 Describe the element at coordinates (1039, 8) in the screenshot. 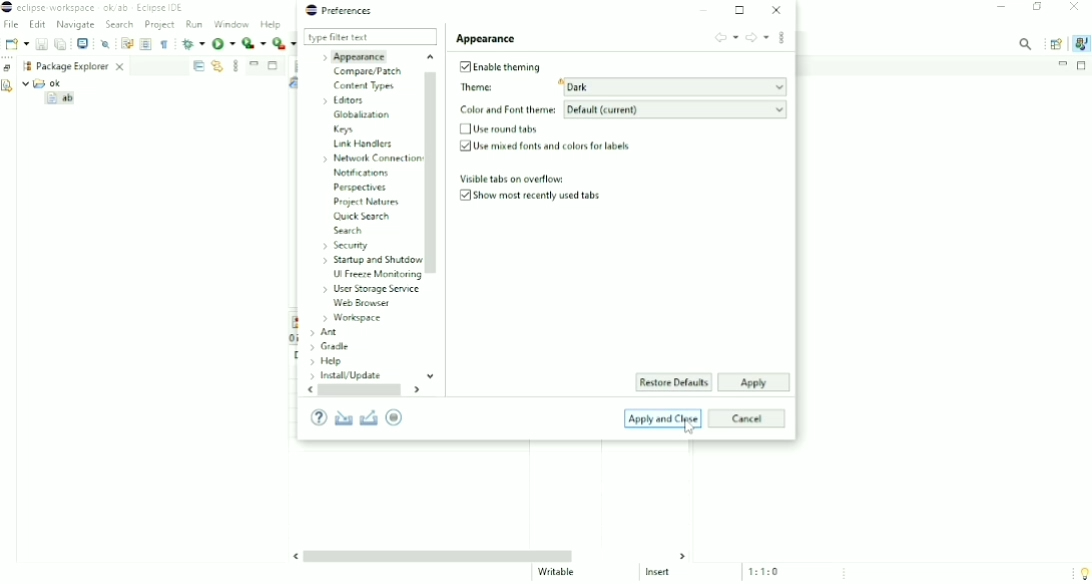

I see `Restore down` at that location.